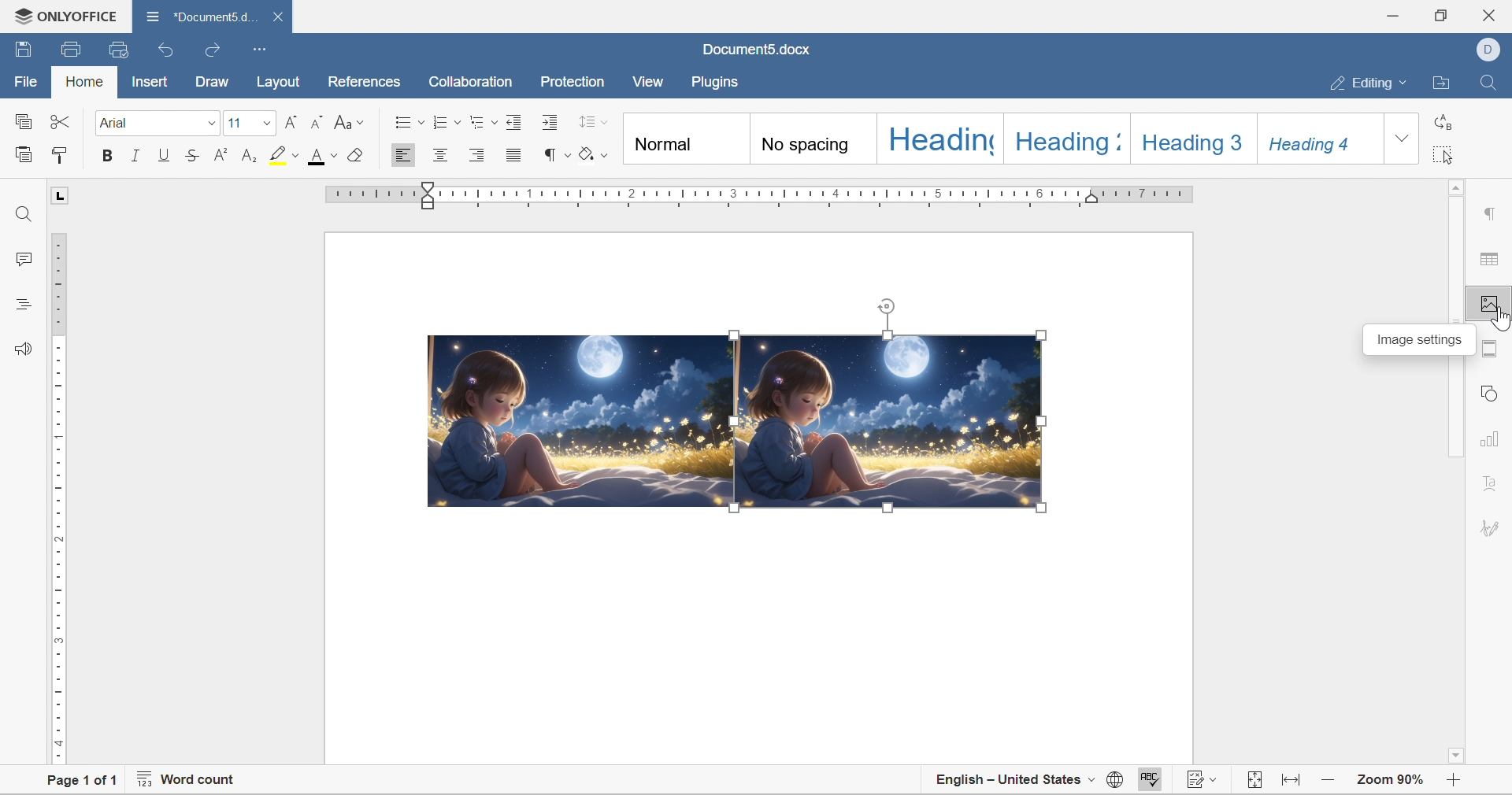  Describe the element at coordinates (1155, 778) in the screenshot. I see `spell checking` at that location.